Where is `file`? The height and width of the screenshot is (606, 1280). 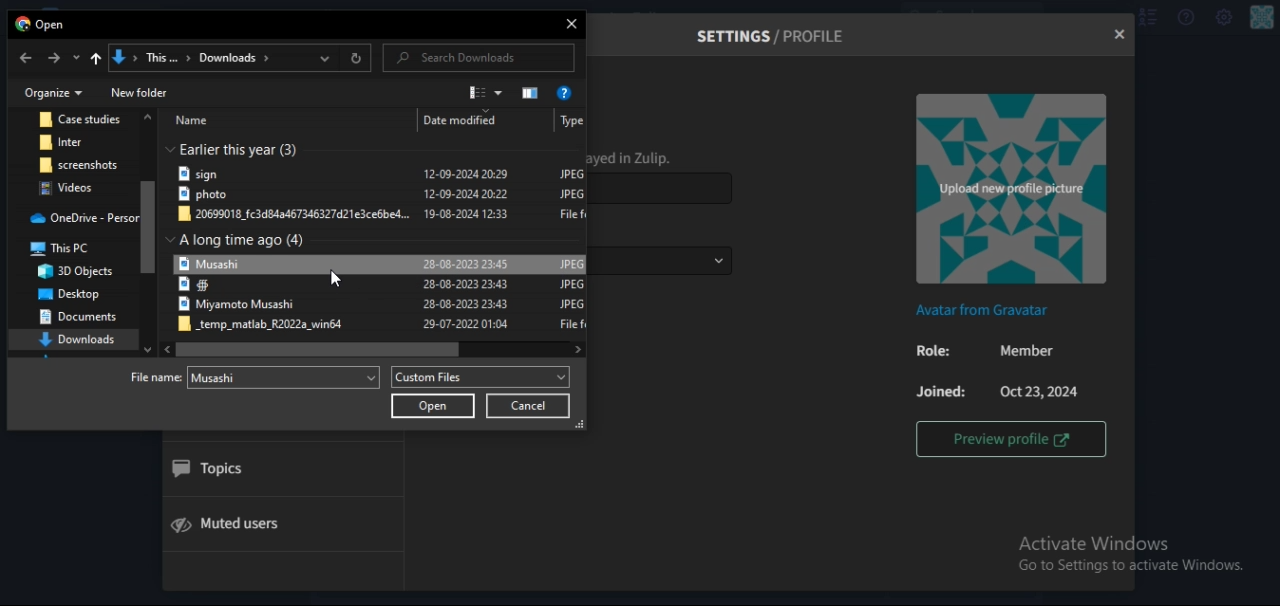
file is located at coordinates (80, 164).